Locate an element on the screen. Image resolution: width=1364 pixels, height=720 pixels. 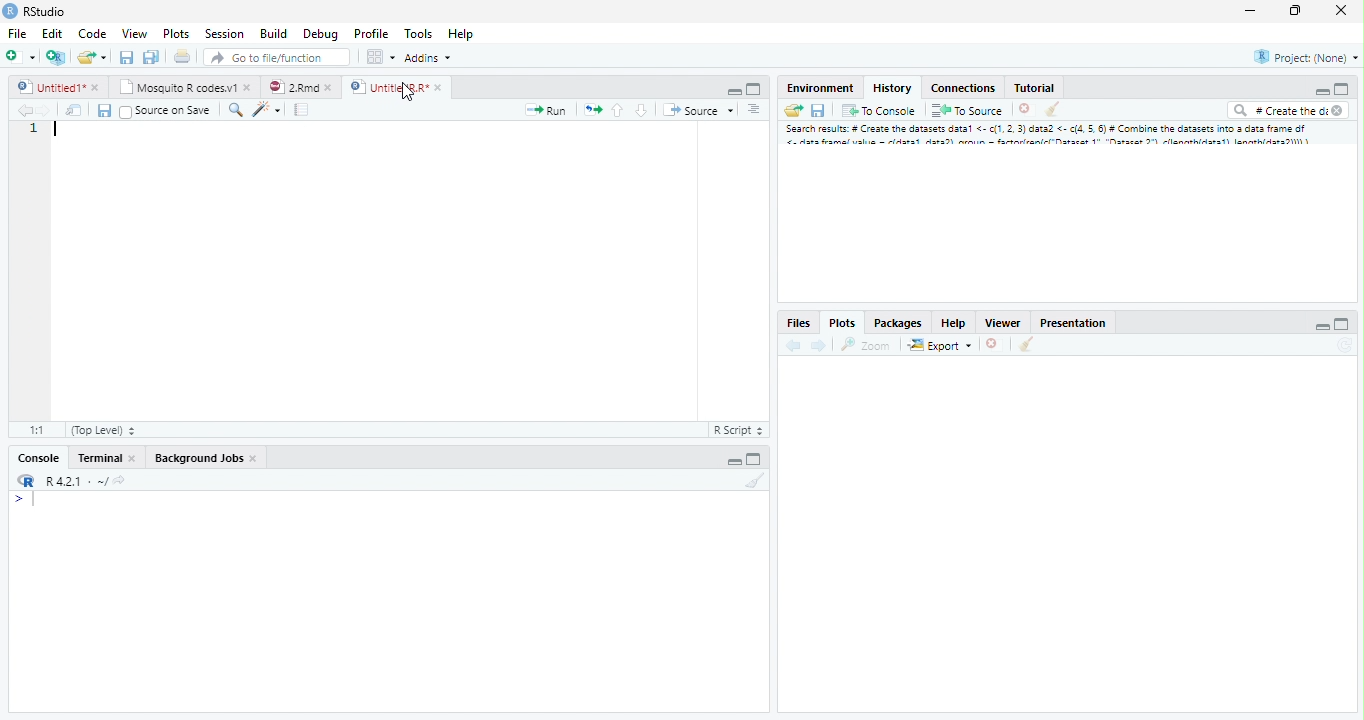
Zoom is located at coordinates (235, 112).